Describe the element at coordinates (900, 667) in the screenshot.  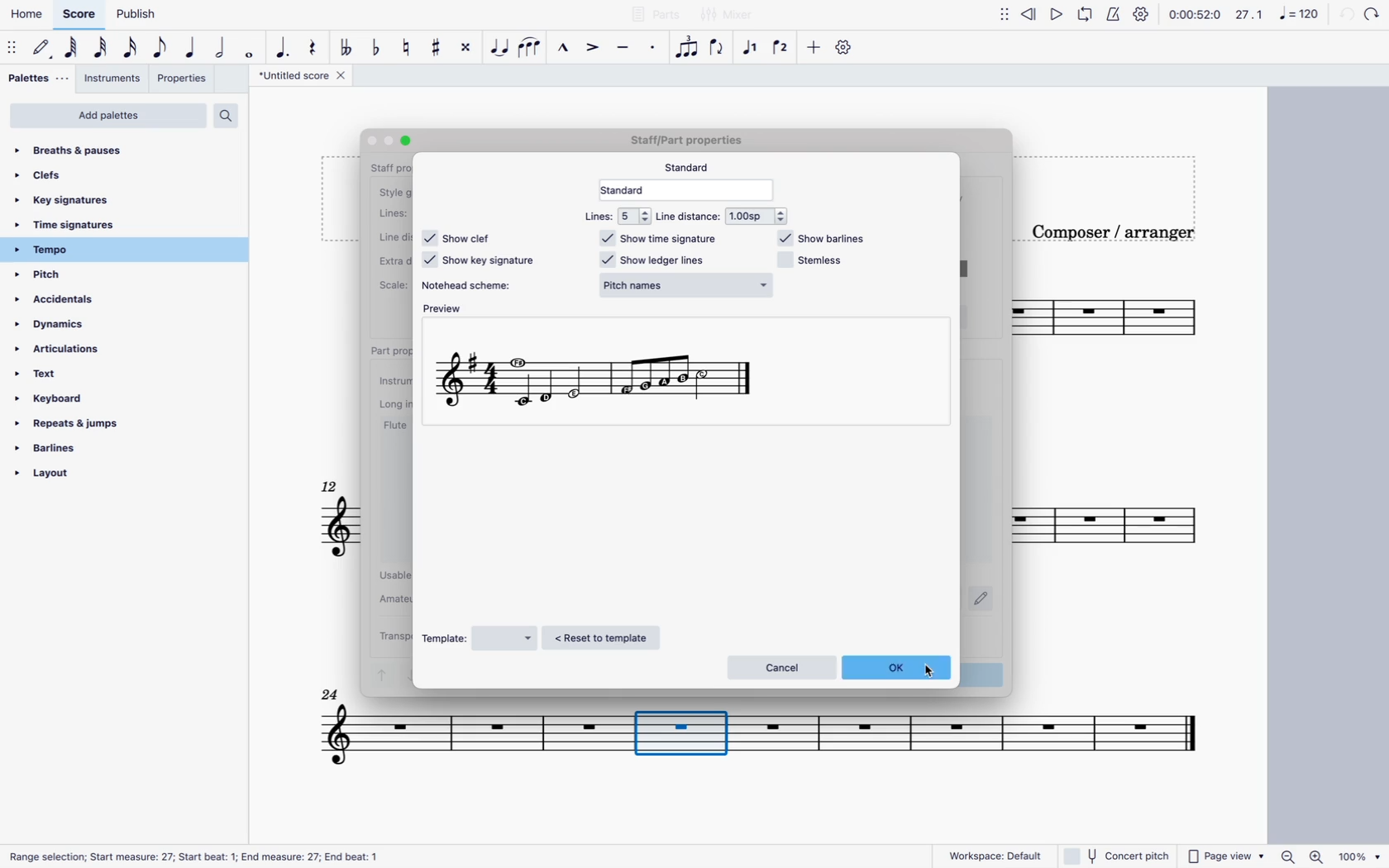
I see `ok` at that location.